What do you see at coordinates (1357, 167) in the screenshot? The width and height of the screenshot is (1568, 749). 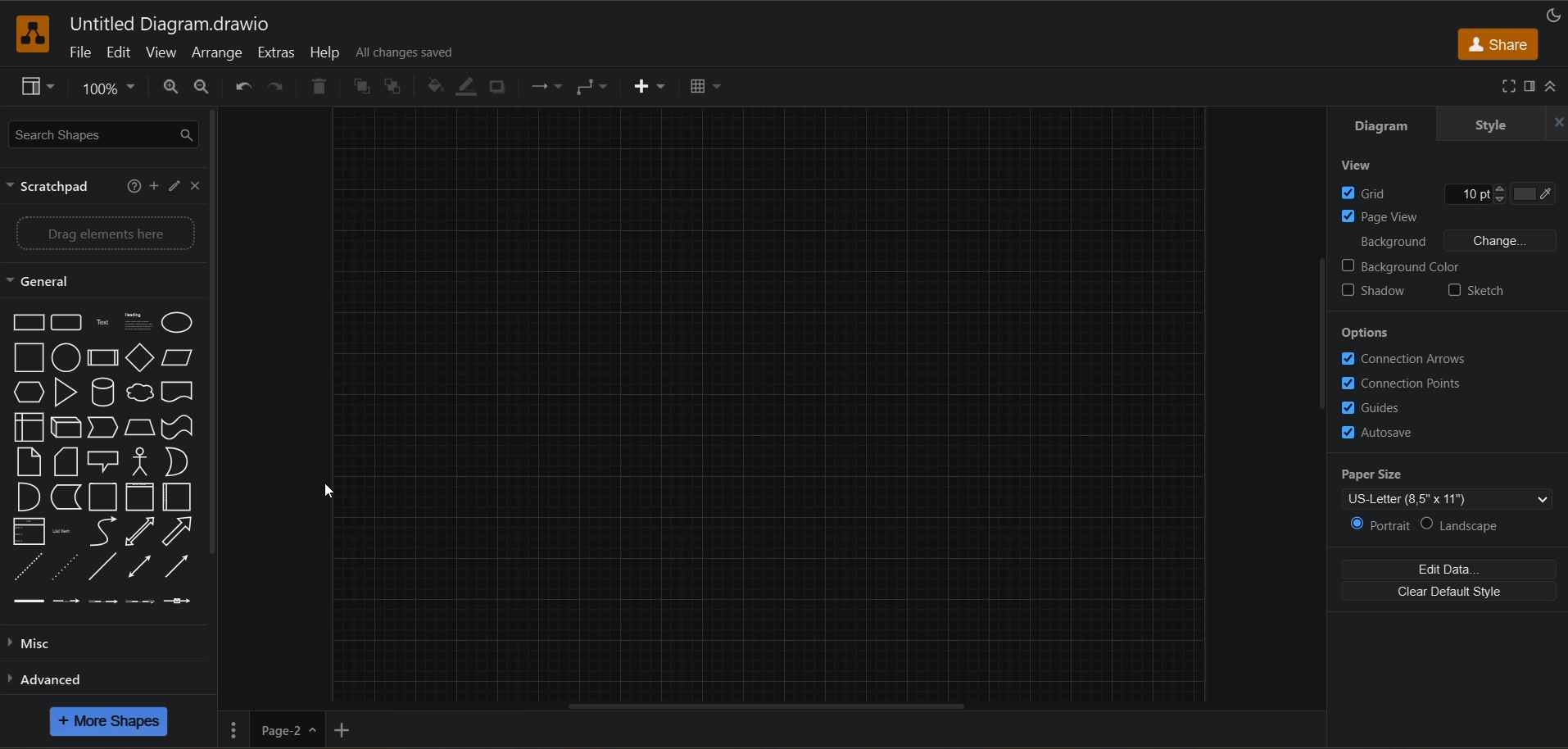 I see `view` at bounding box center [1357, 167].